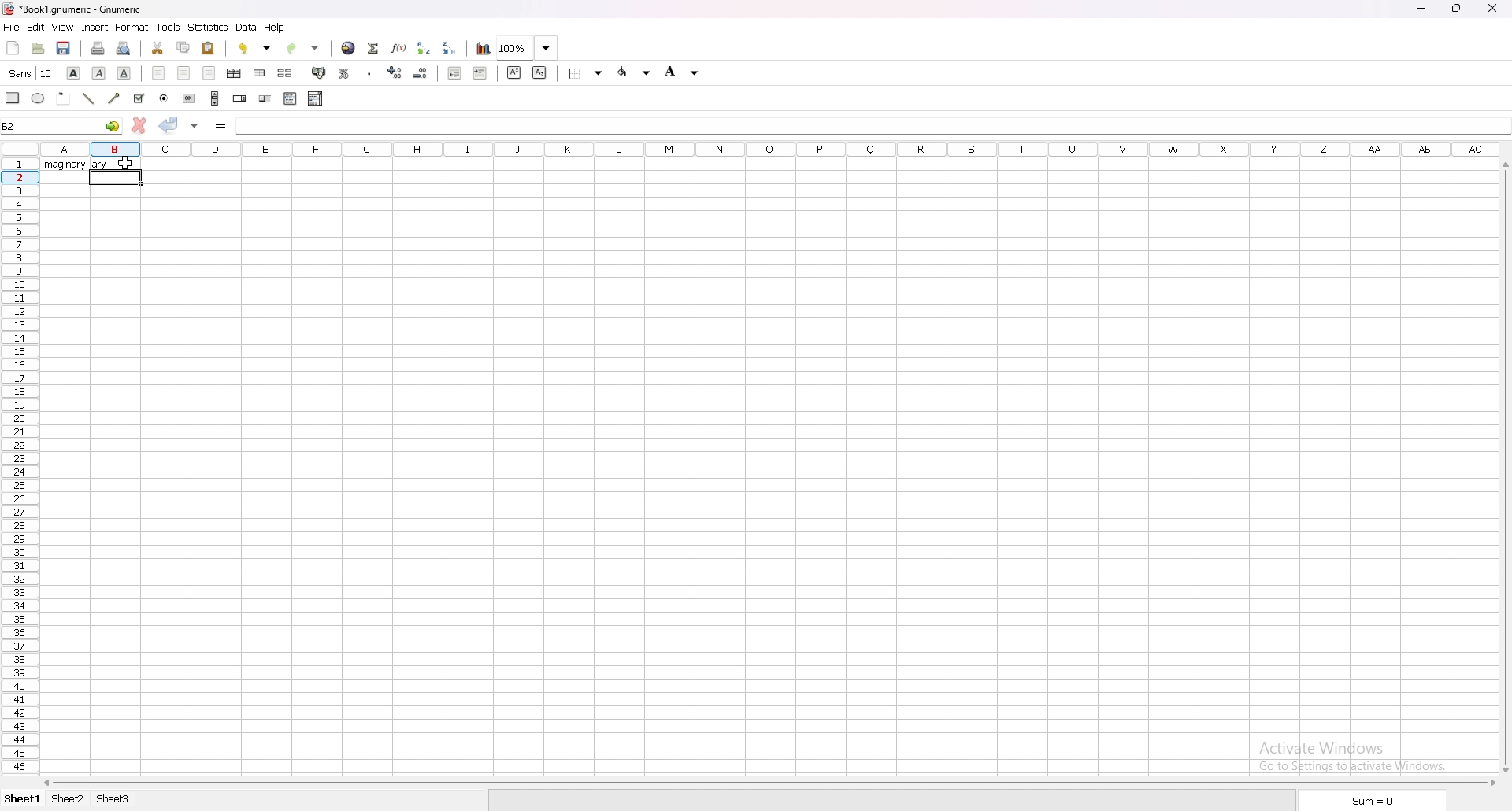 The image size is (1512, 811). What do you see at coordinates (373, 47) in the screenshot?
I see `summation` at bounding box center [373, 47].